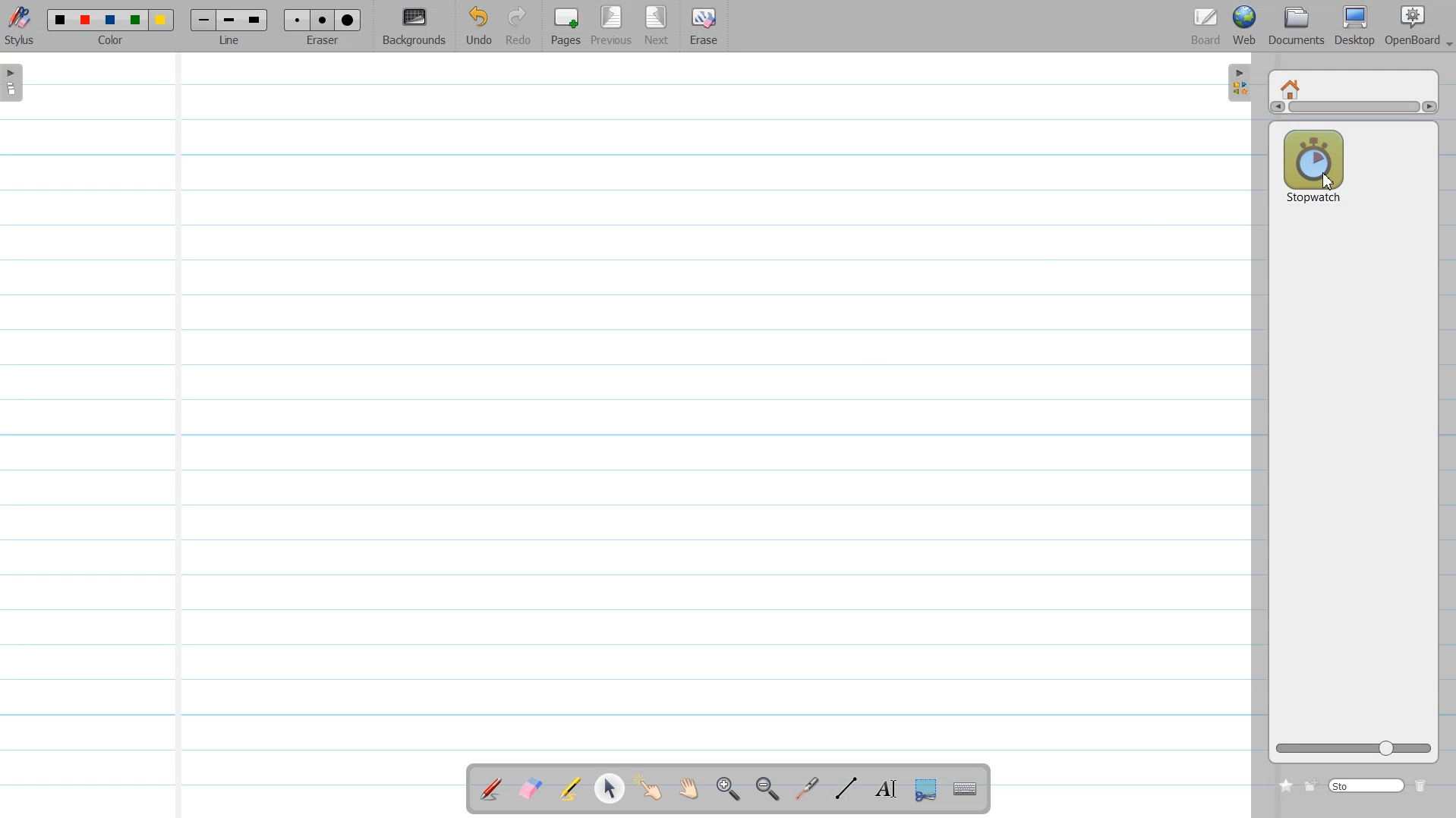 This screenshot has width=1456, height=818. What do you see at coordinates (848, 788) in the screenshot?
I see `Draw Line` at bounding box center [848, 788].